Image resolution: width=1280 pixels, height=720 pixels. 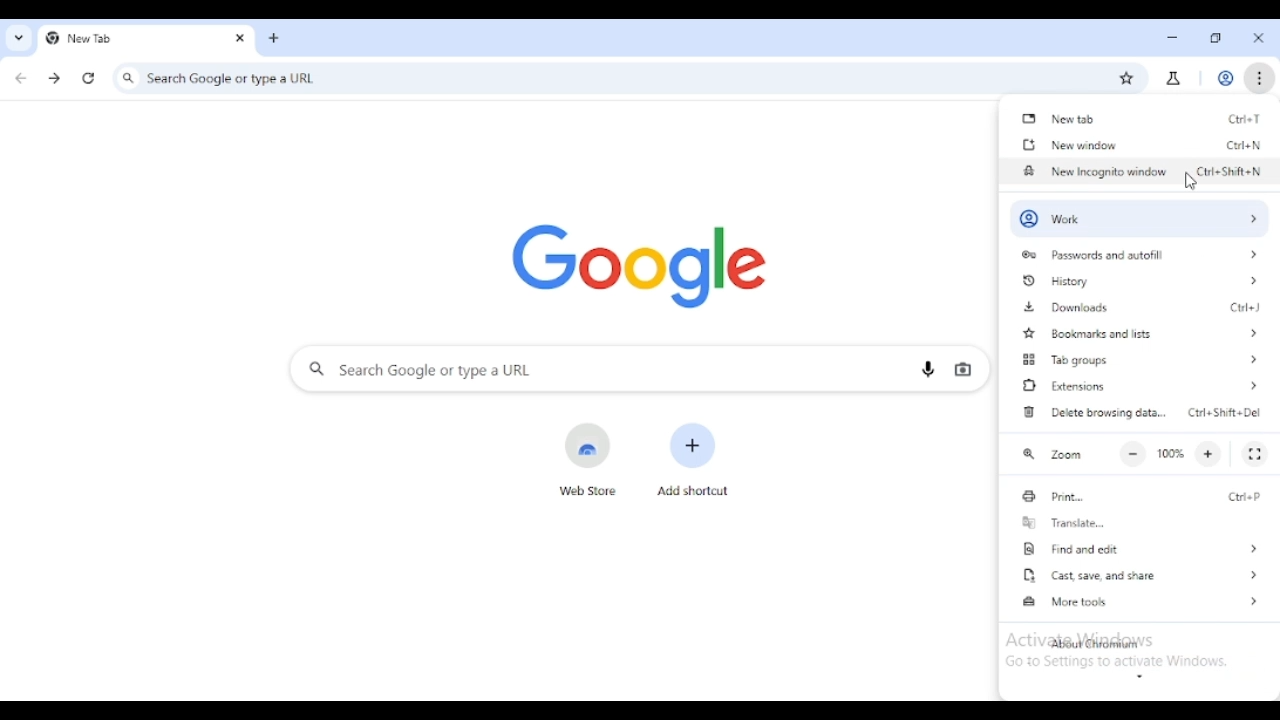 I want to click on more tools, so click(x=1143, y=600).